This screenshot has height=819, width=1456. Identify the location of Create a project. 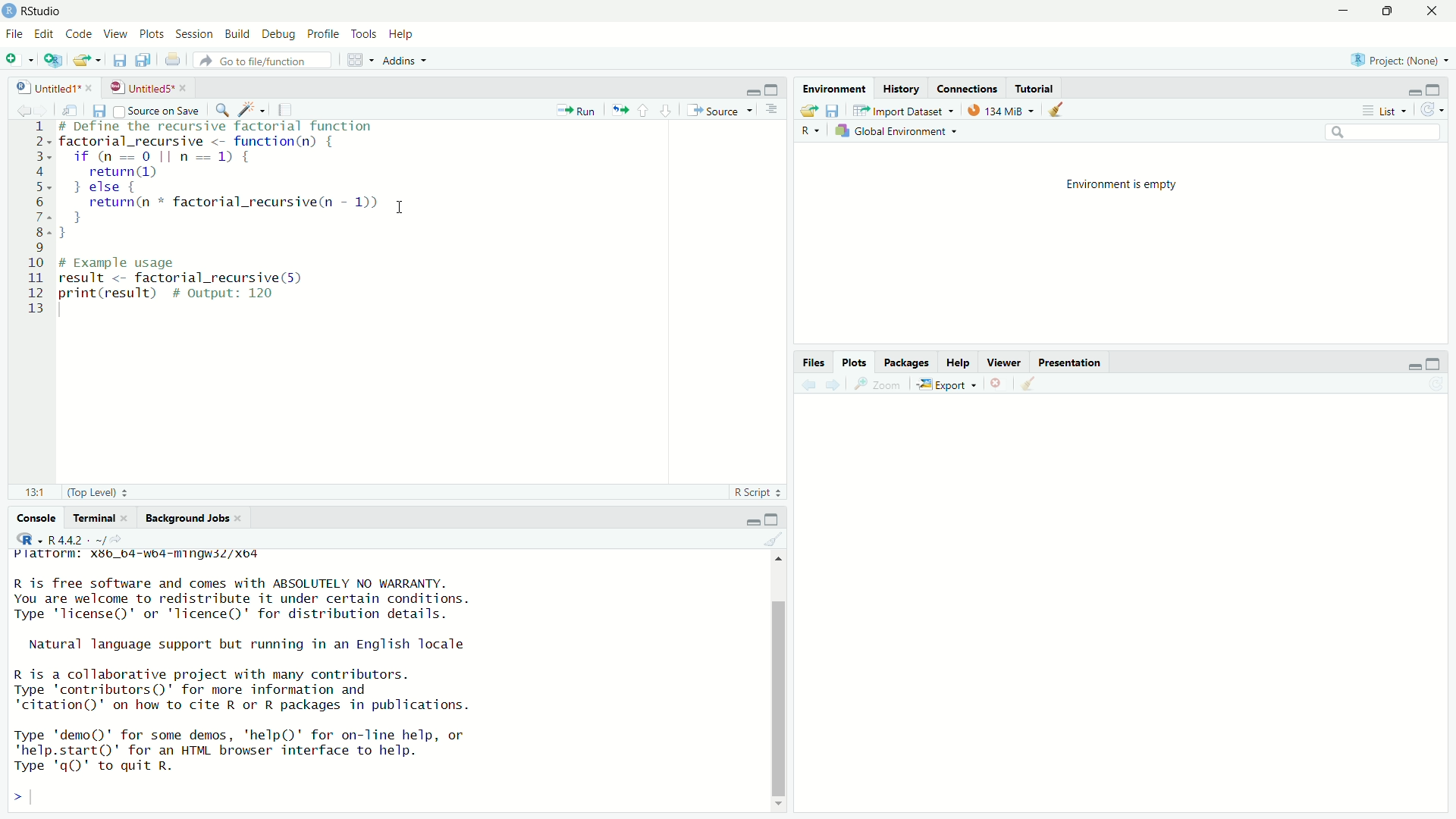
(54, 61).